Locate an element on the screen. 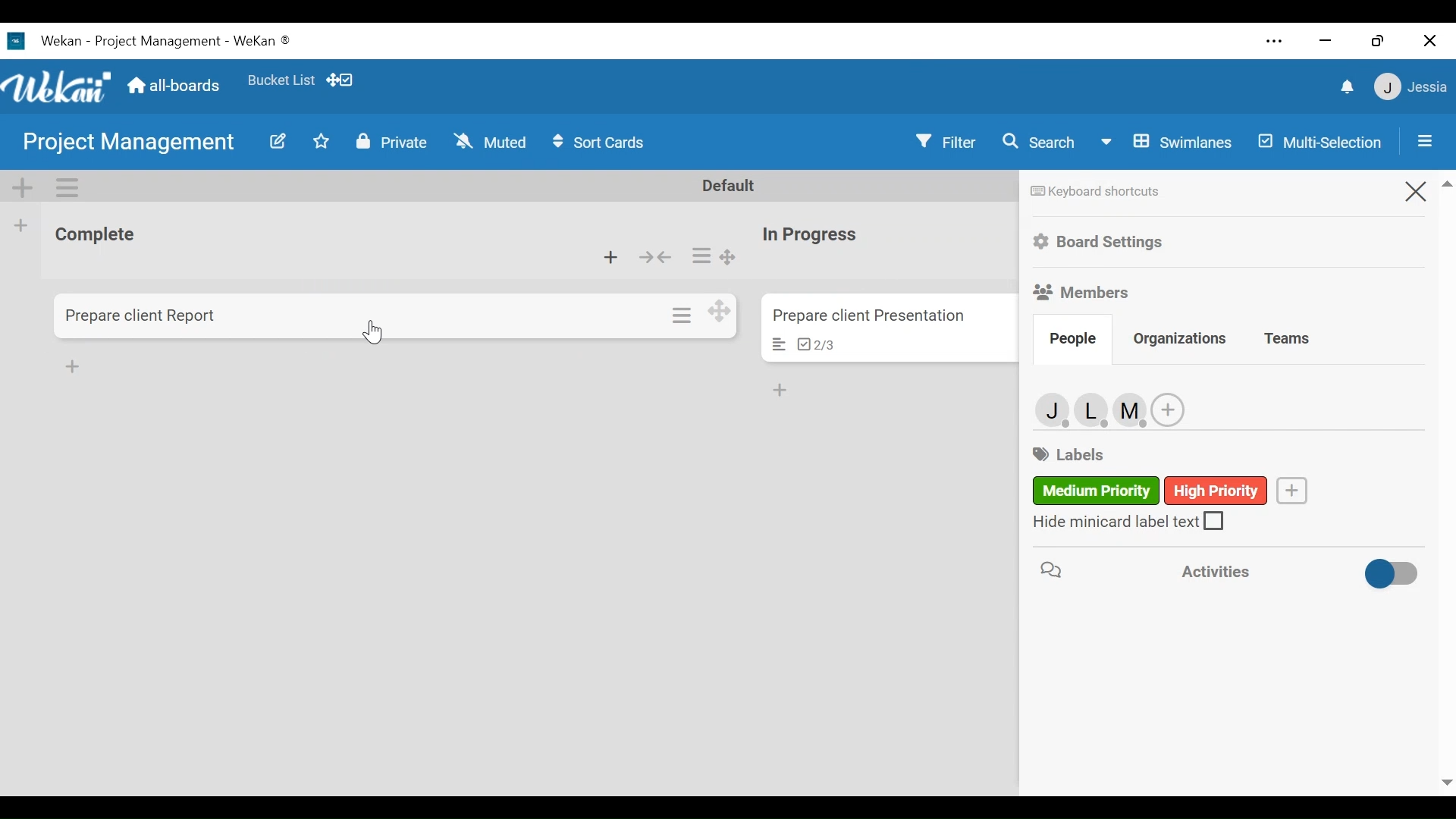 Image resolution: width=1456 pixels, height=819 pixels. Favorites is located at coordinates (283, 80).